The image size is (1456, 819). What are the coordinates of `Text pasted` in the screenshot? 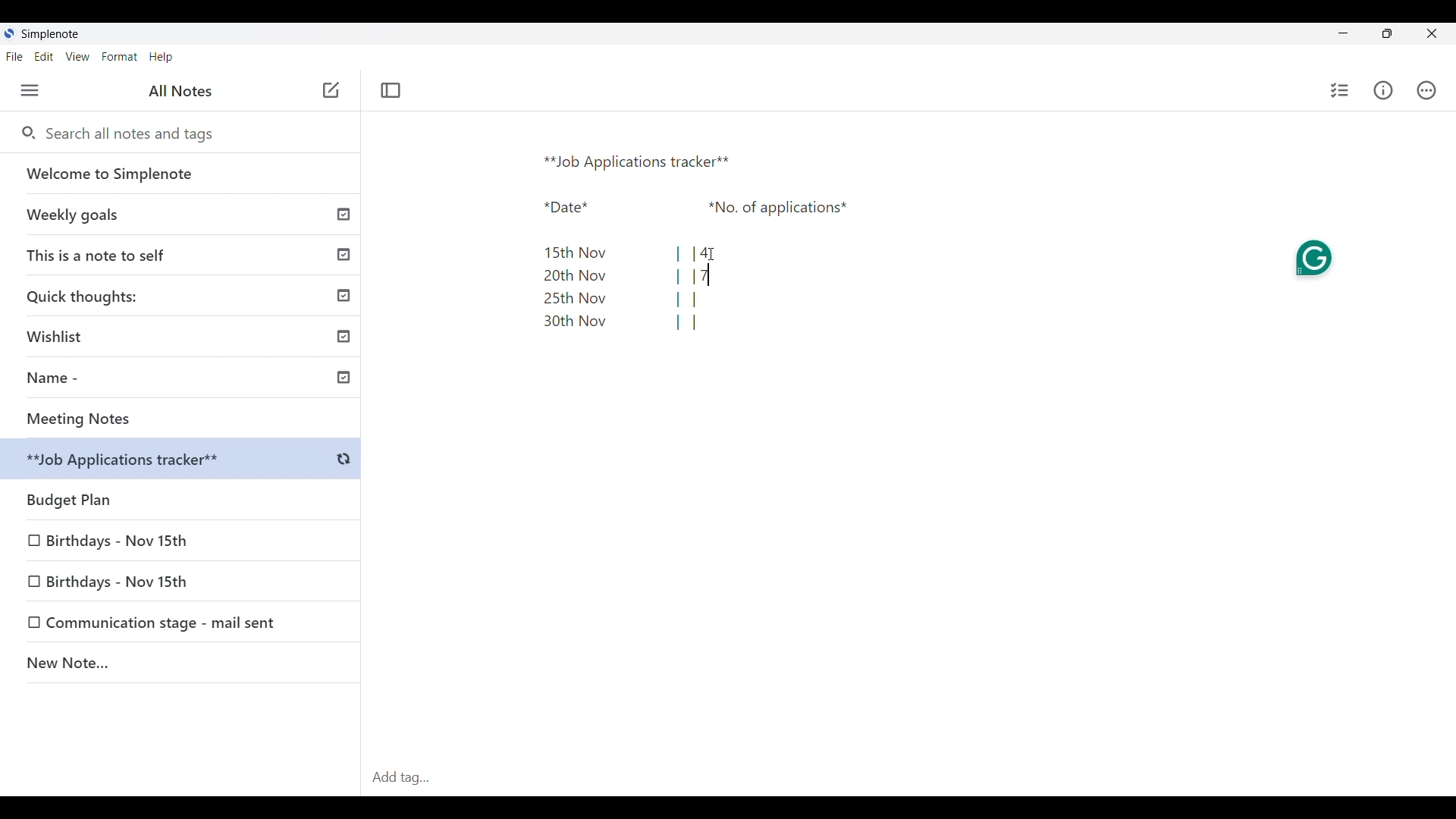 It's located at (695, 241).